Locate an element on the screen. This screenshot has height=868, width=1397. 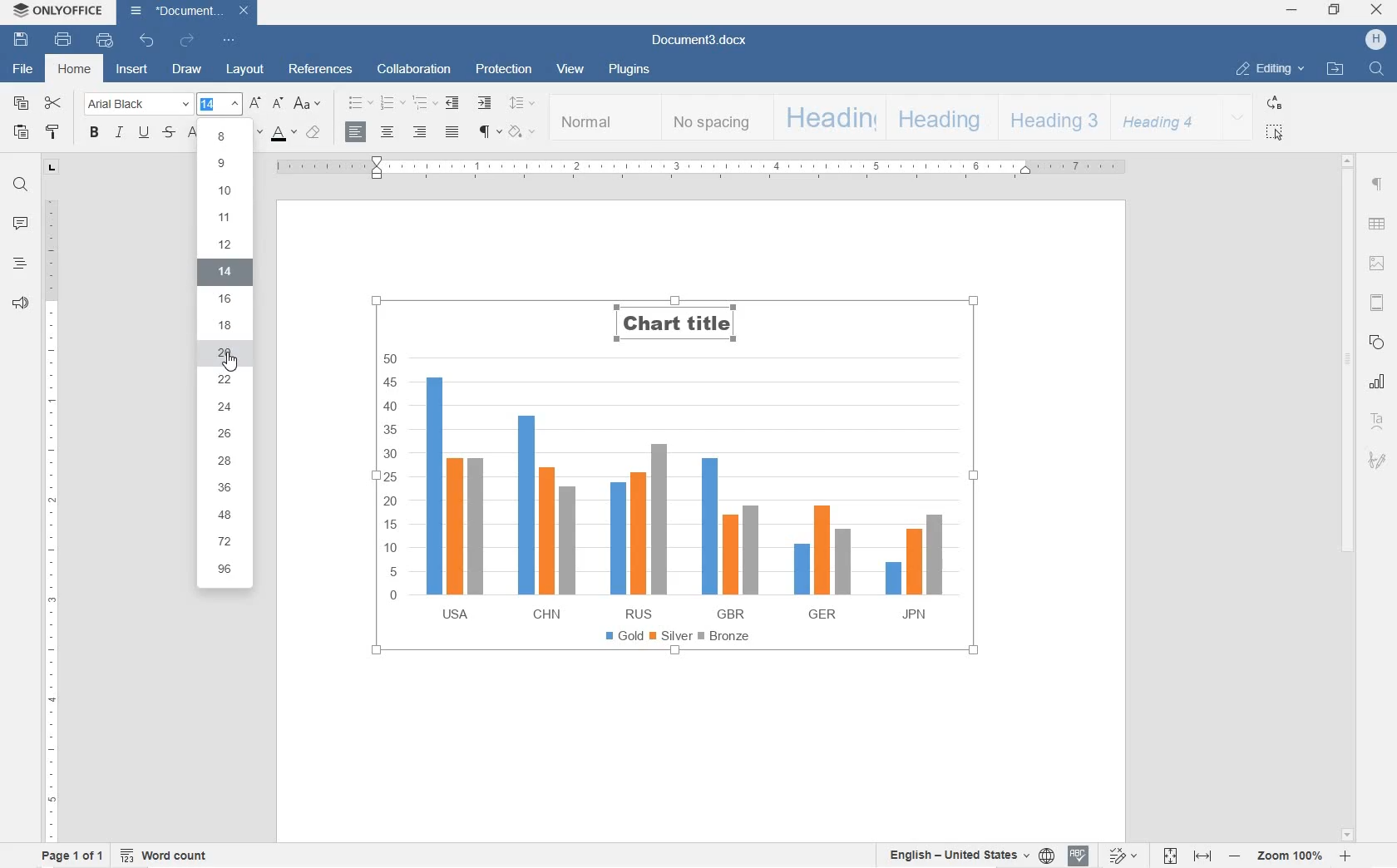
CLOSE is located at coordinates (1379, 11).